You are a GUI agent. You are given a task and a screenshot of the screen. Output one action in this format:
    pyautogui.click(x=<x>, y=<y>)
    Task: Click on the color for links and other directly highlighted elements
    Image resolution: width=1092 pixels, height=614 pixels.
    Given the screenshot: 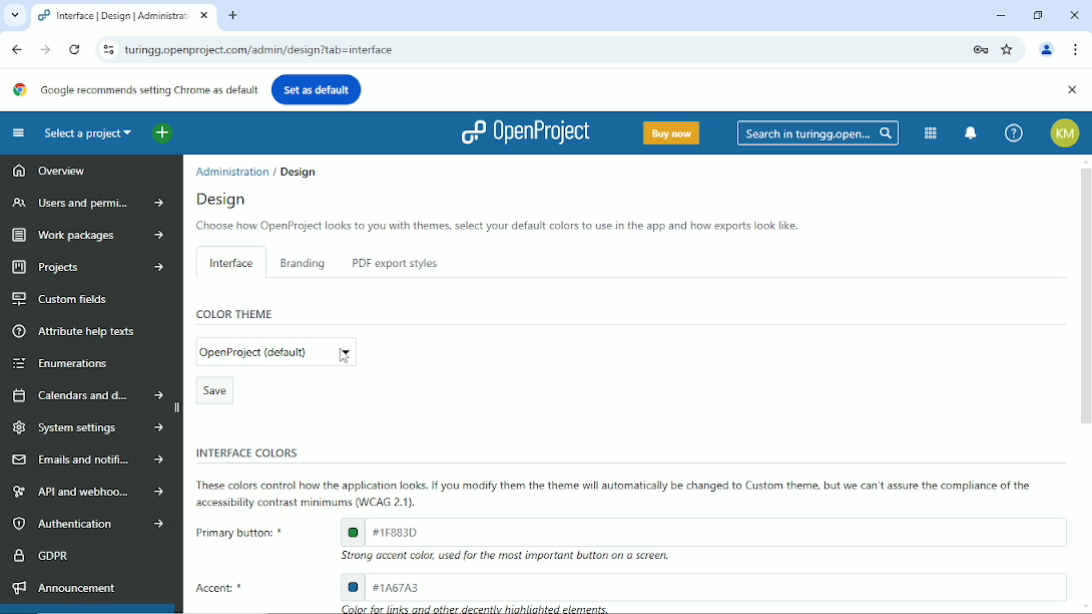 What is the action you would take?
    pyautogui.click(x=477, y=608)
    